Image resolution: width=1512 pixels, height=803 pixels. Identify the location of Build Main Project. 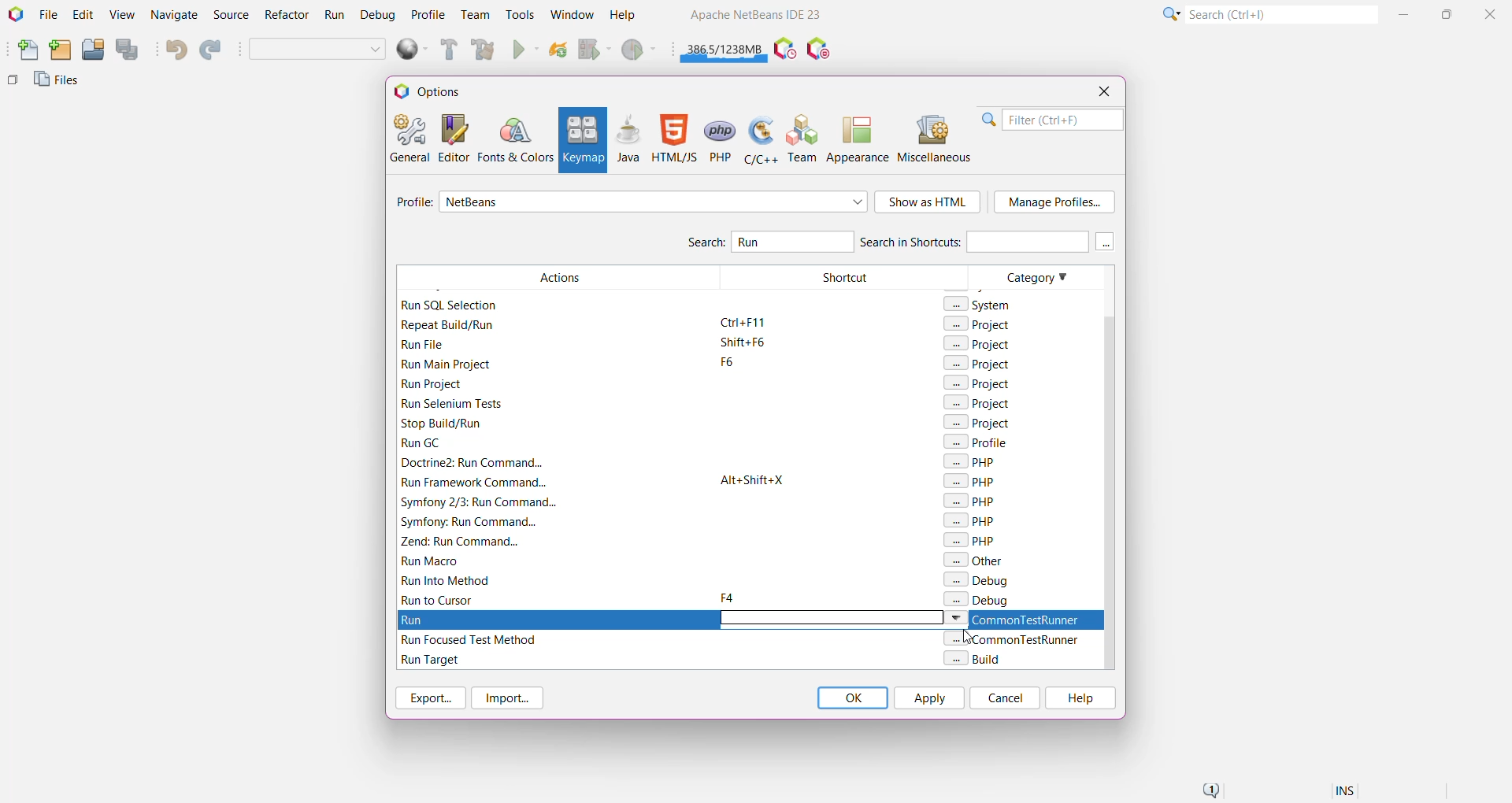
(447, 50).